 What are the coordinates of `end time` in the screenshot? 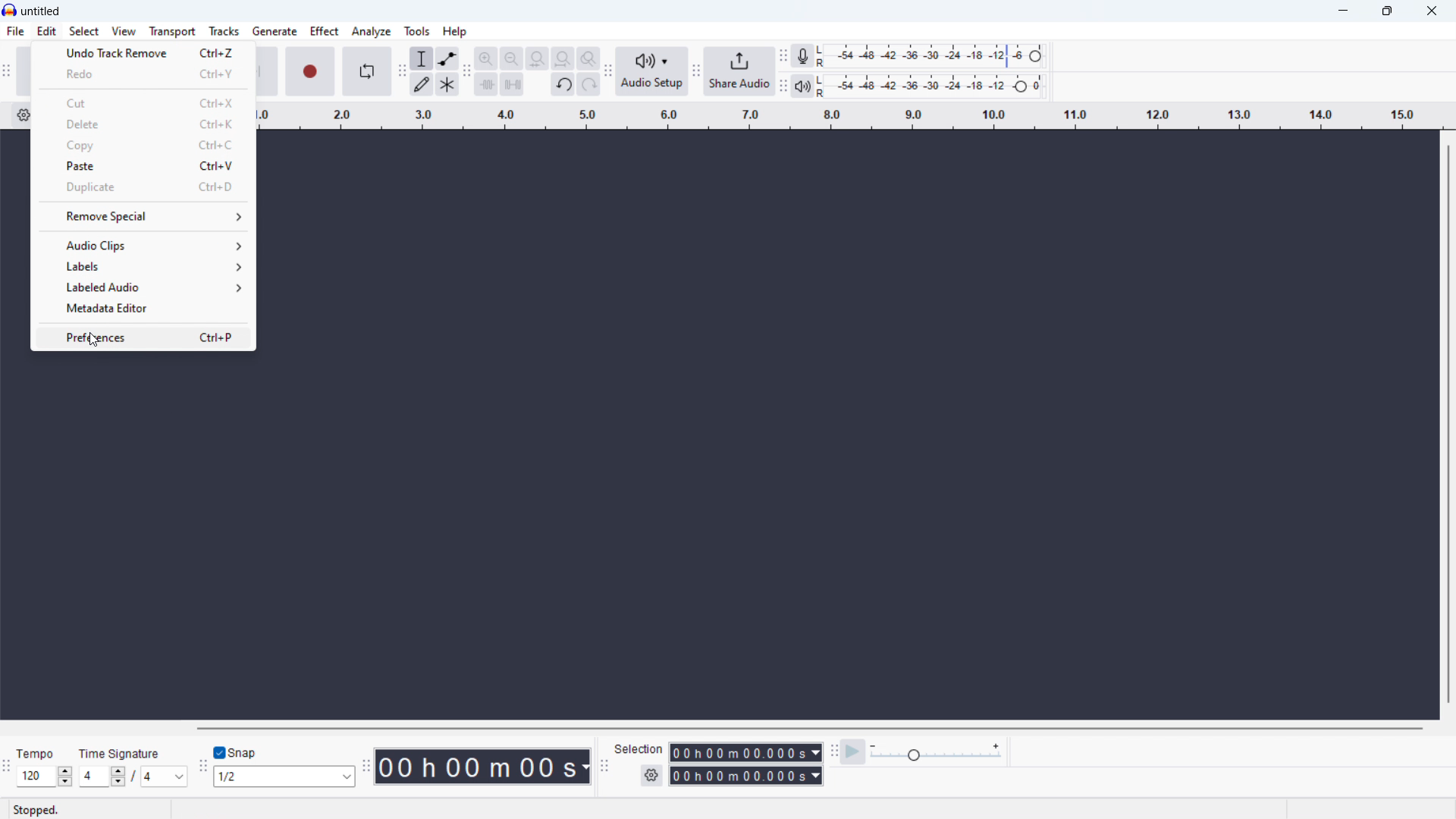 It's located at (745, 777).